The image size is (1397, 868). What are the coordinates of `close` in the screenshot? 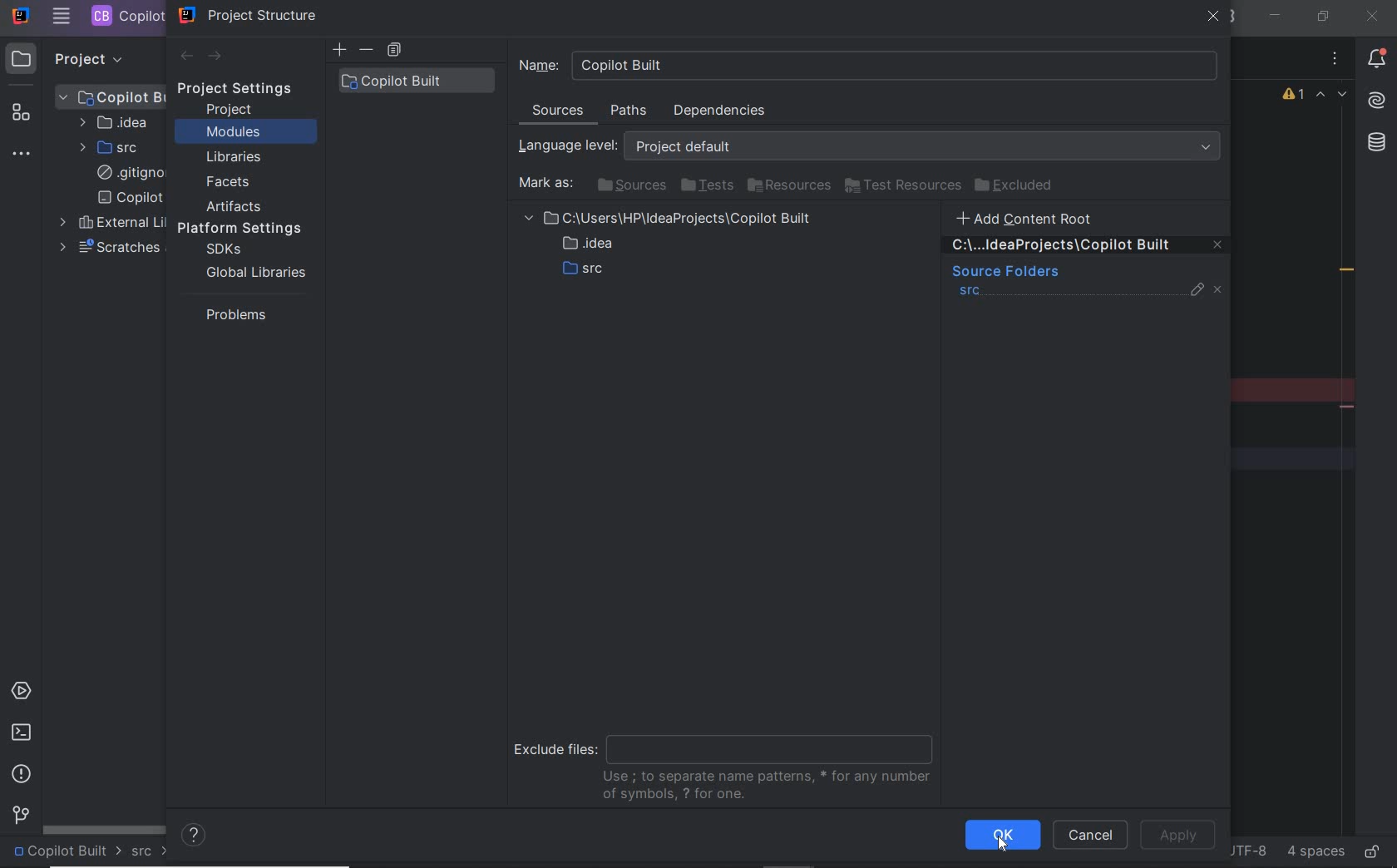 It's located at (1371, 16).